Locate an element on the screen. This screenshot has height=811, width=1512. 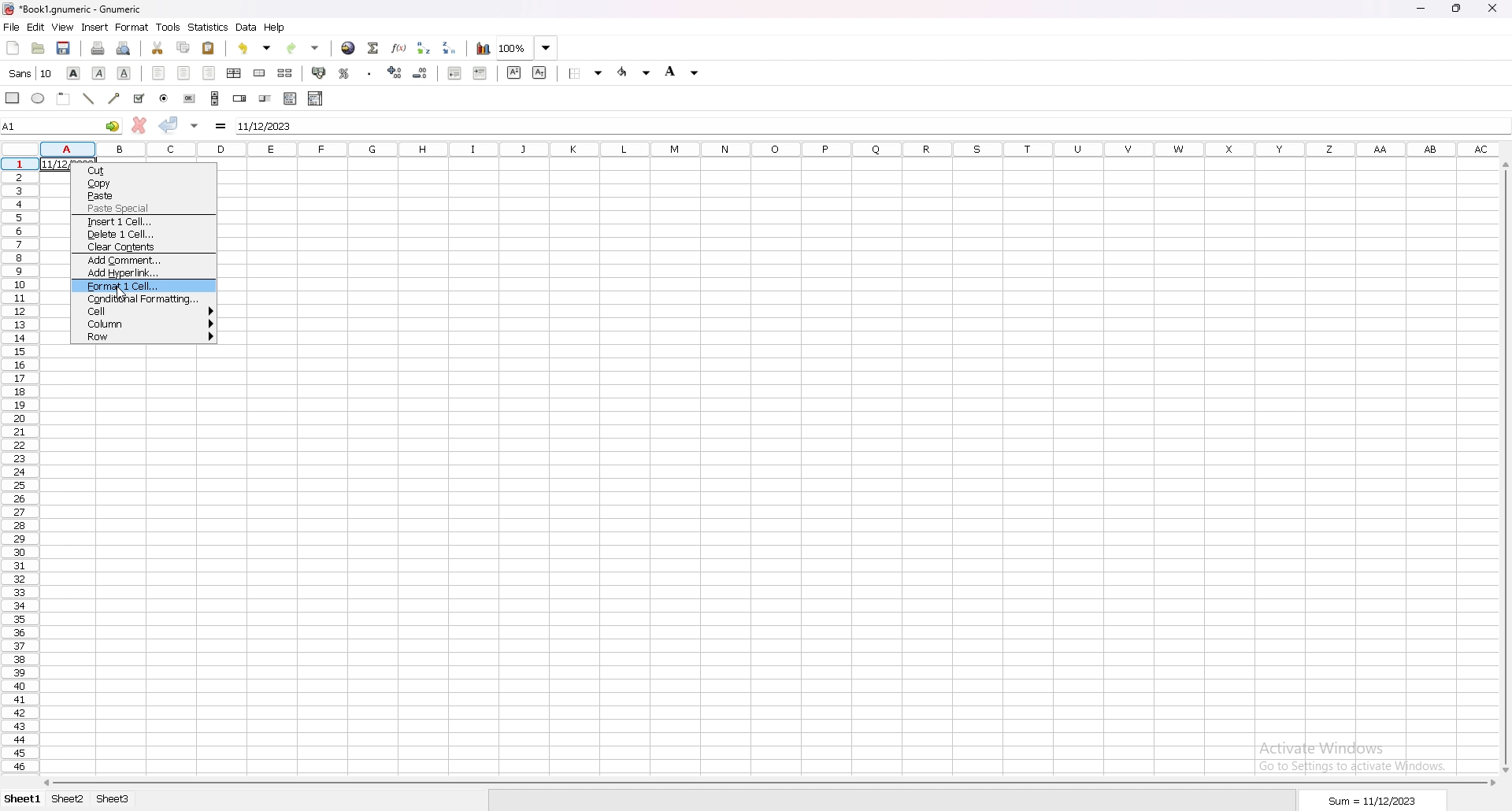
formula is located at coordinates (220, 126).